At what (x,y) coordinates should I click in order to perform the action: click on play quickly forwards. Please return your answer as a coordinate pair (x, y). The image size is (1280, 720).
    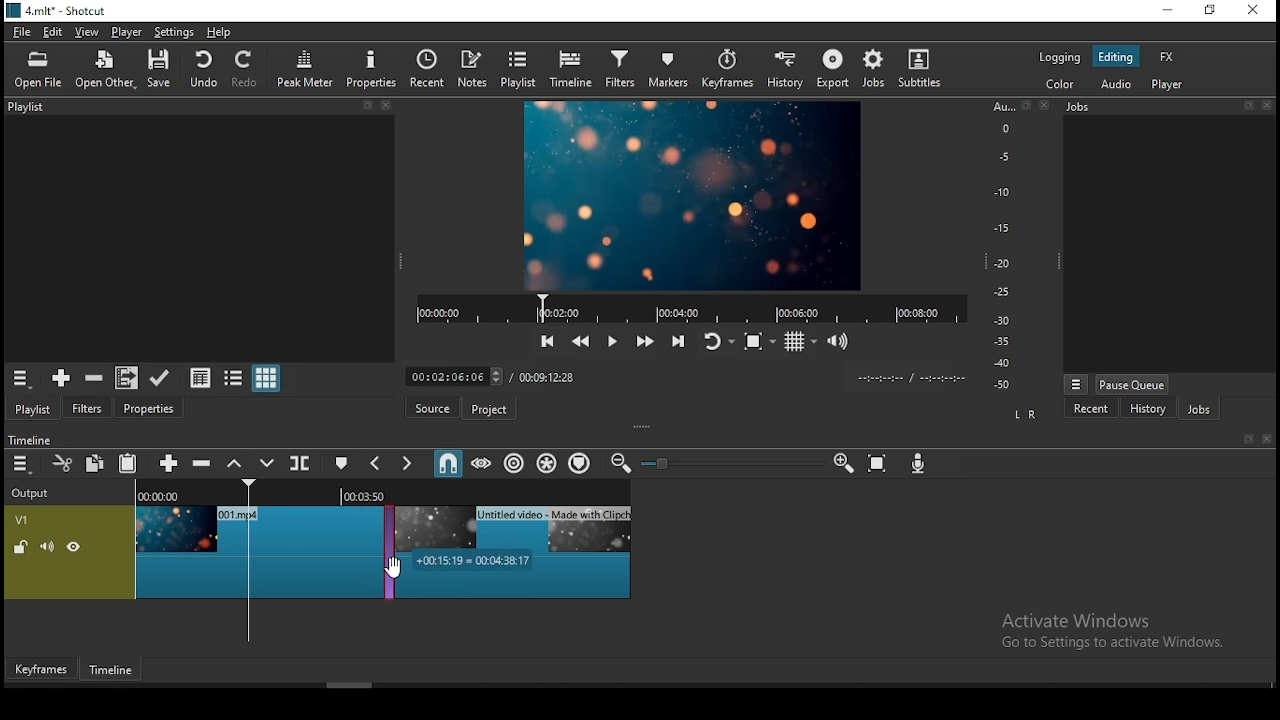
    Looking at the image, I should click on (645, 342).